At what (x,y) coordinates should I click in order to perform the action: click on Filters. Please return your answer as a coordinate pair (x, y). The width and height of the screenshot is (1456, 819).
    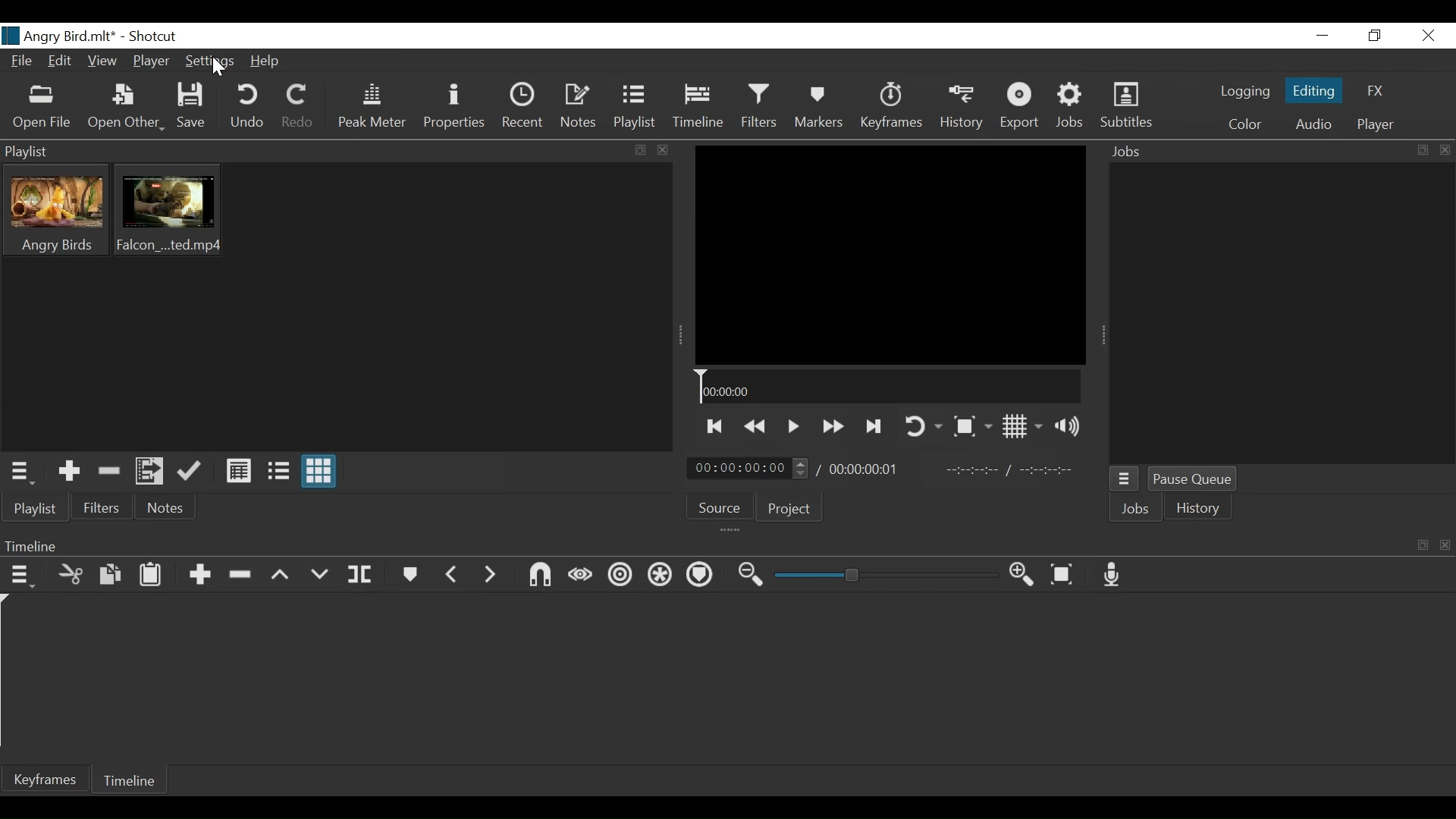
    Looking at the image, I should click on (762, 106).